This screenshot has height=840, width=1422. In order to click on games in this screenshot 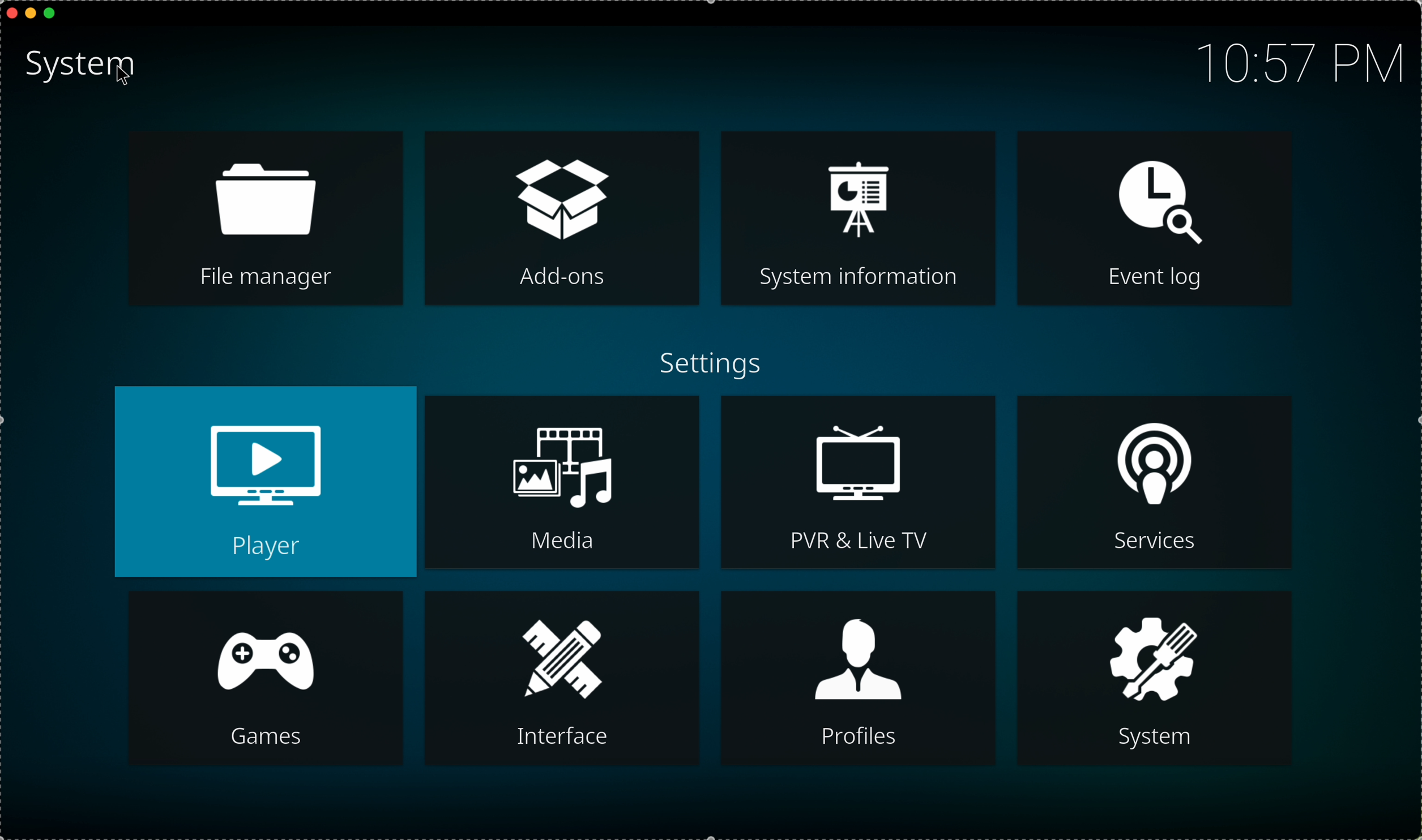, I will do `click(267, 678)`.